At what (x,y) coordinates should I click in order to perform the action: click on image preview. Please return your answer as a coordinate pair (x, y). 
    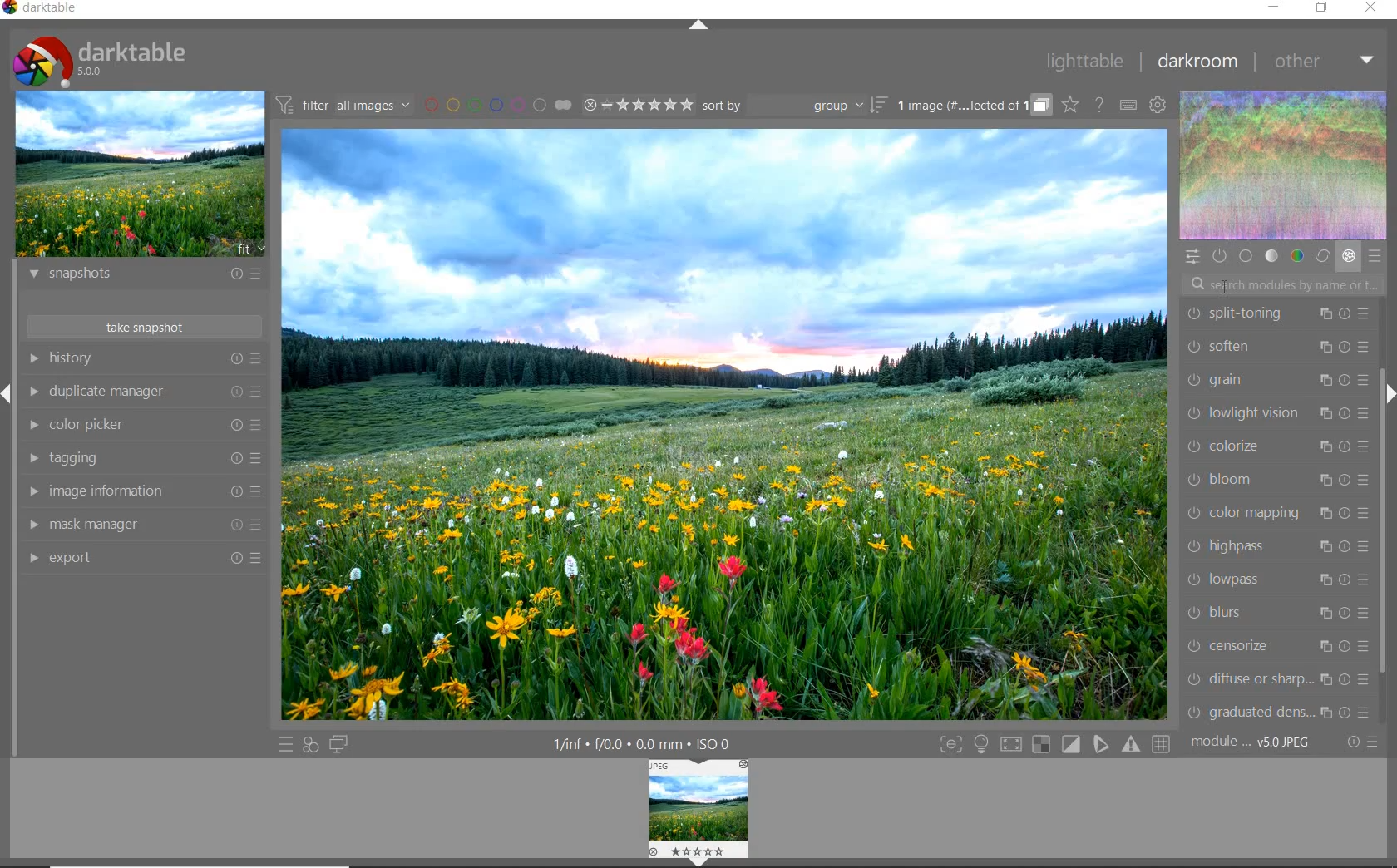
    Looking at the image, I should click on (700, 811).